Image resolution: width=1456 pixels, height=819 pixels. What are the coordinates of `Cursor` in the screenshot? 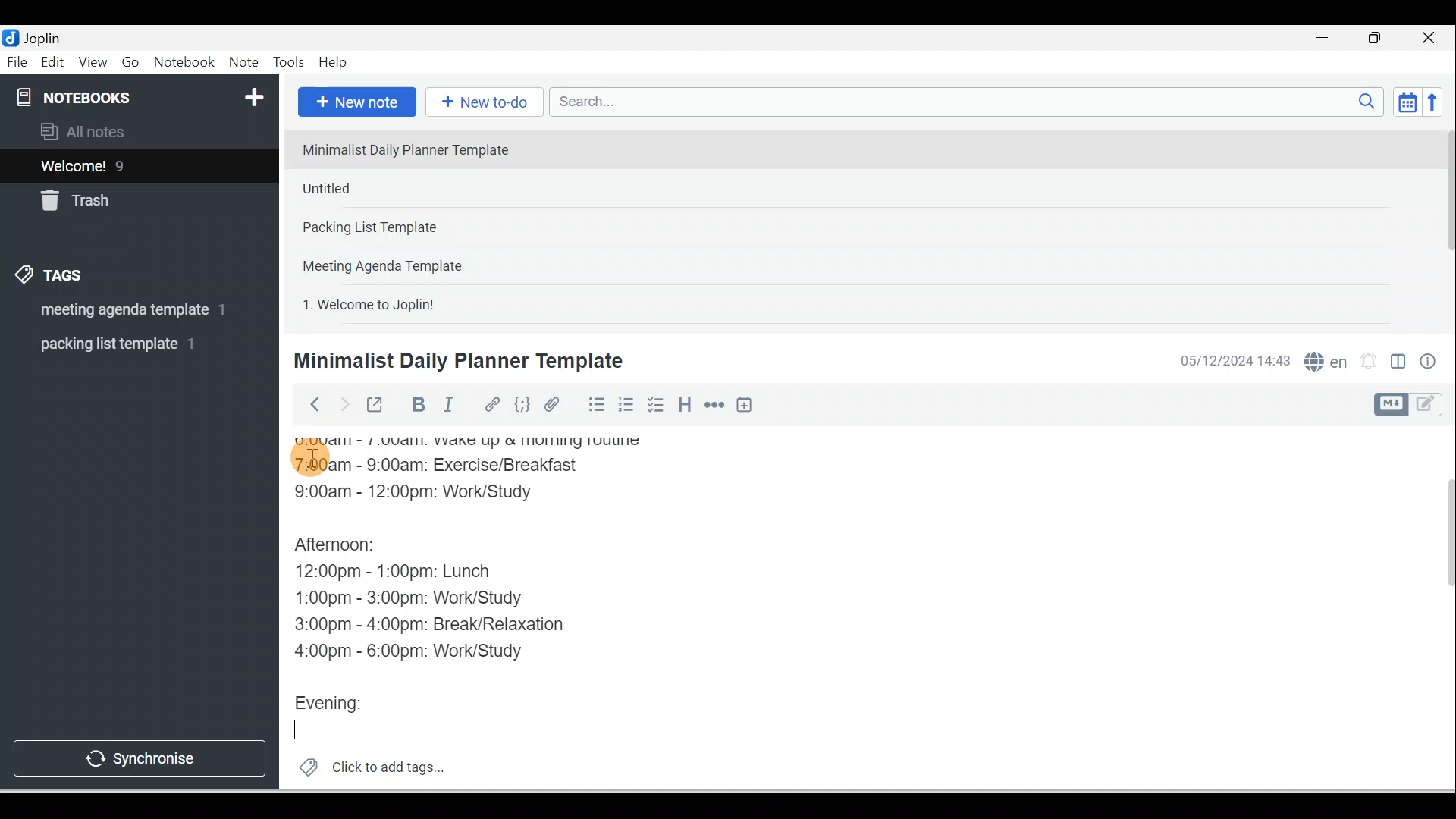 It's located at (298, 733).